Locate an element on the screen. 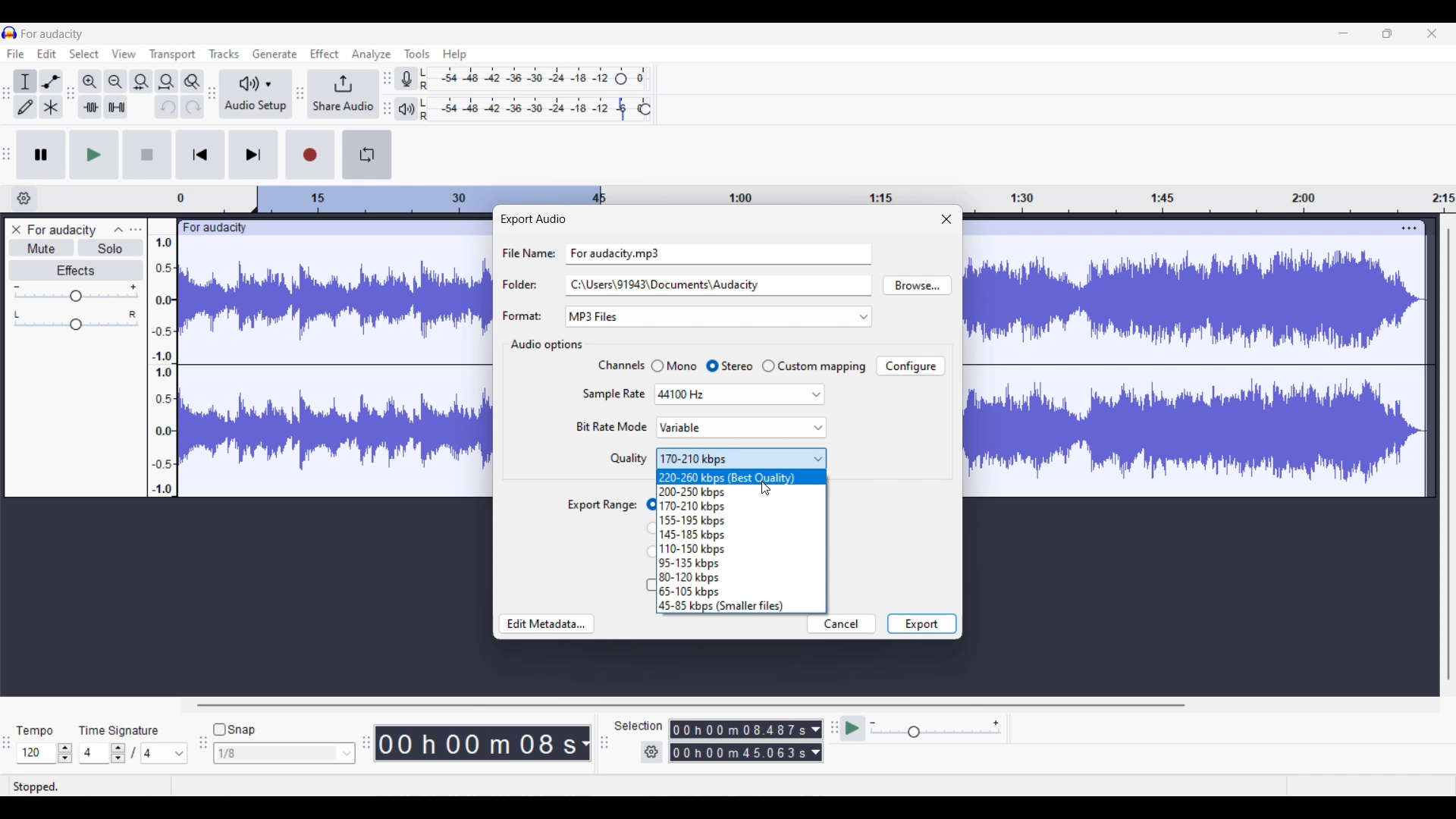 This screenshot has width=1456, height=819. Project name - For audacity is located at coordinates (53, 34).